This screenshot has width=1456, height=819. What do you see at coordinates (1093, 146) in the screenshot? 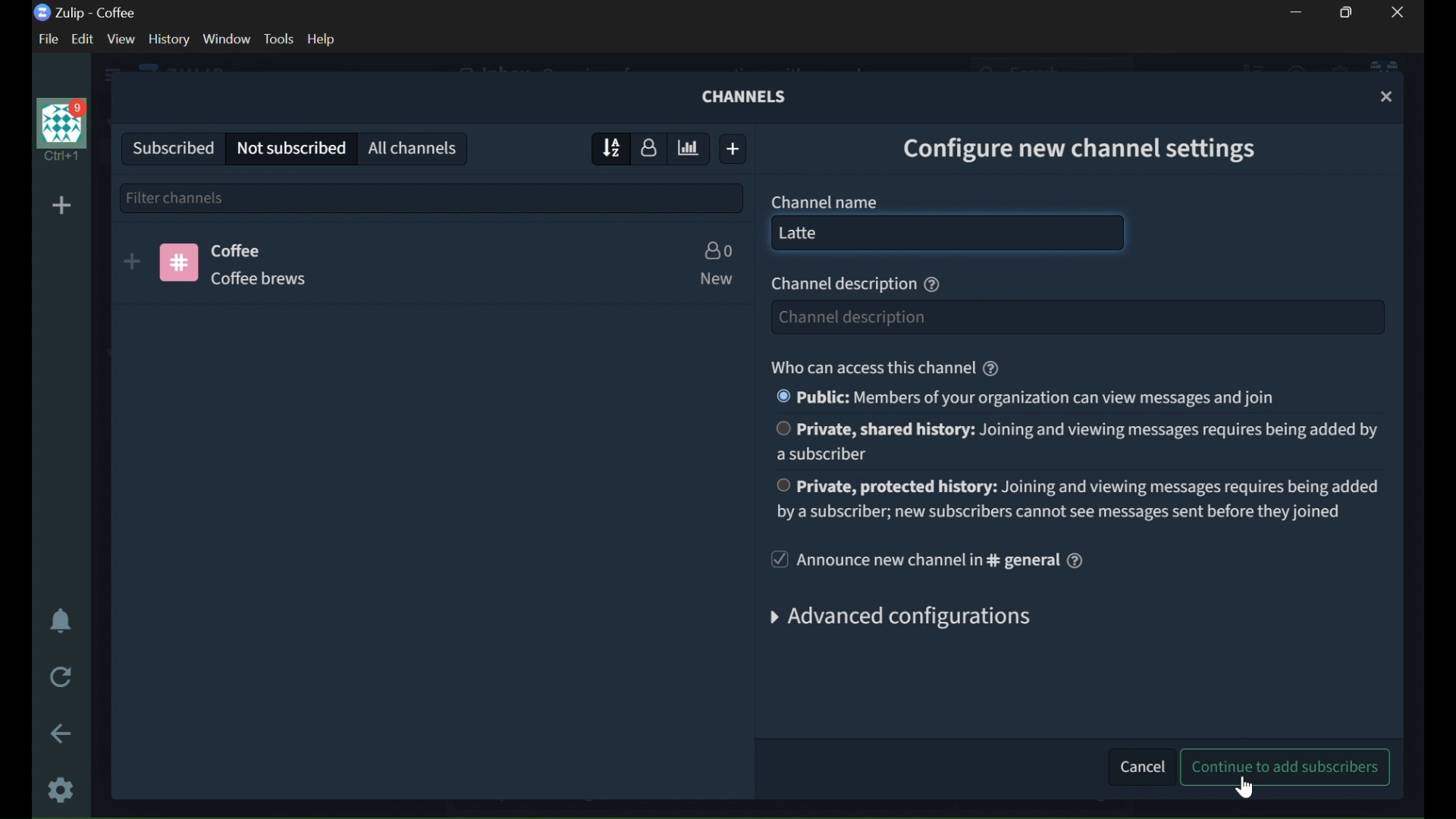
I see `CONFIGURE NEW CHANNEL SETTINGS` at bounding box center [1093, 146].